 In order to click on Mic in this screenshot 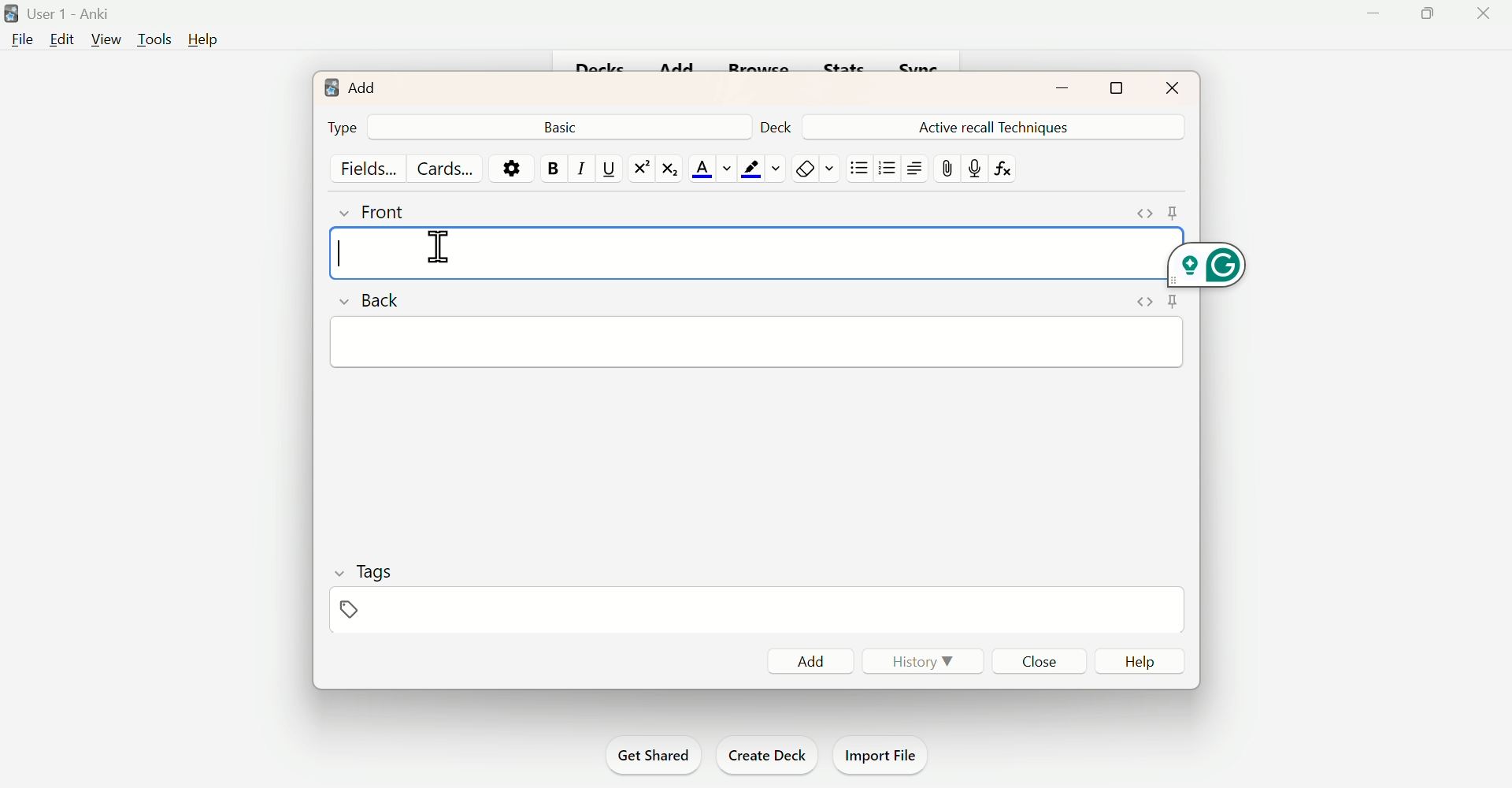, I will do `click(976, 167)`.